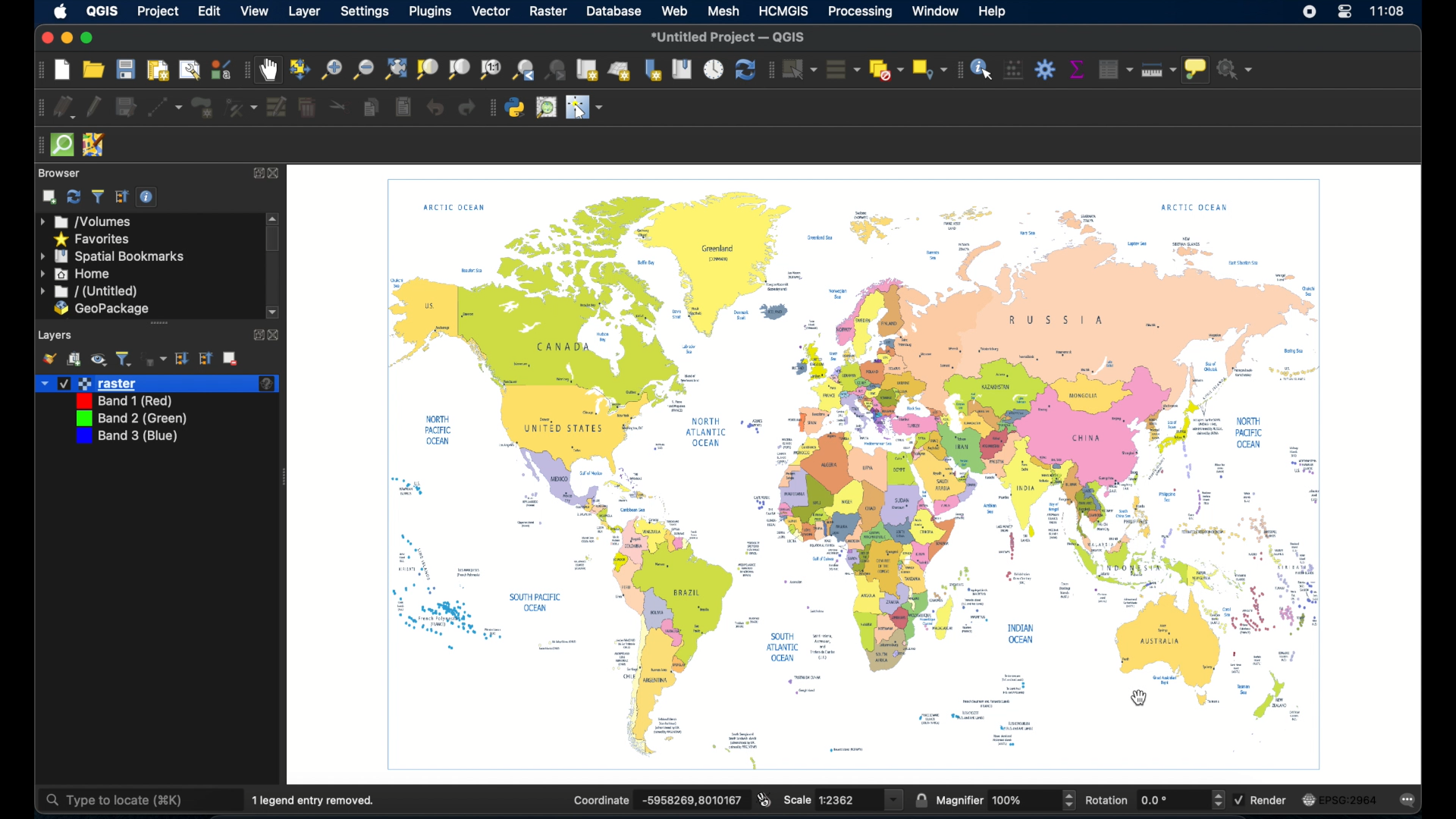 The height and width of the screenshot is (819, 1456). I want to click on open field calculator, so click(1013, 69).